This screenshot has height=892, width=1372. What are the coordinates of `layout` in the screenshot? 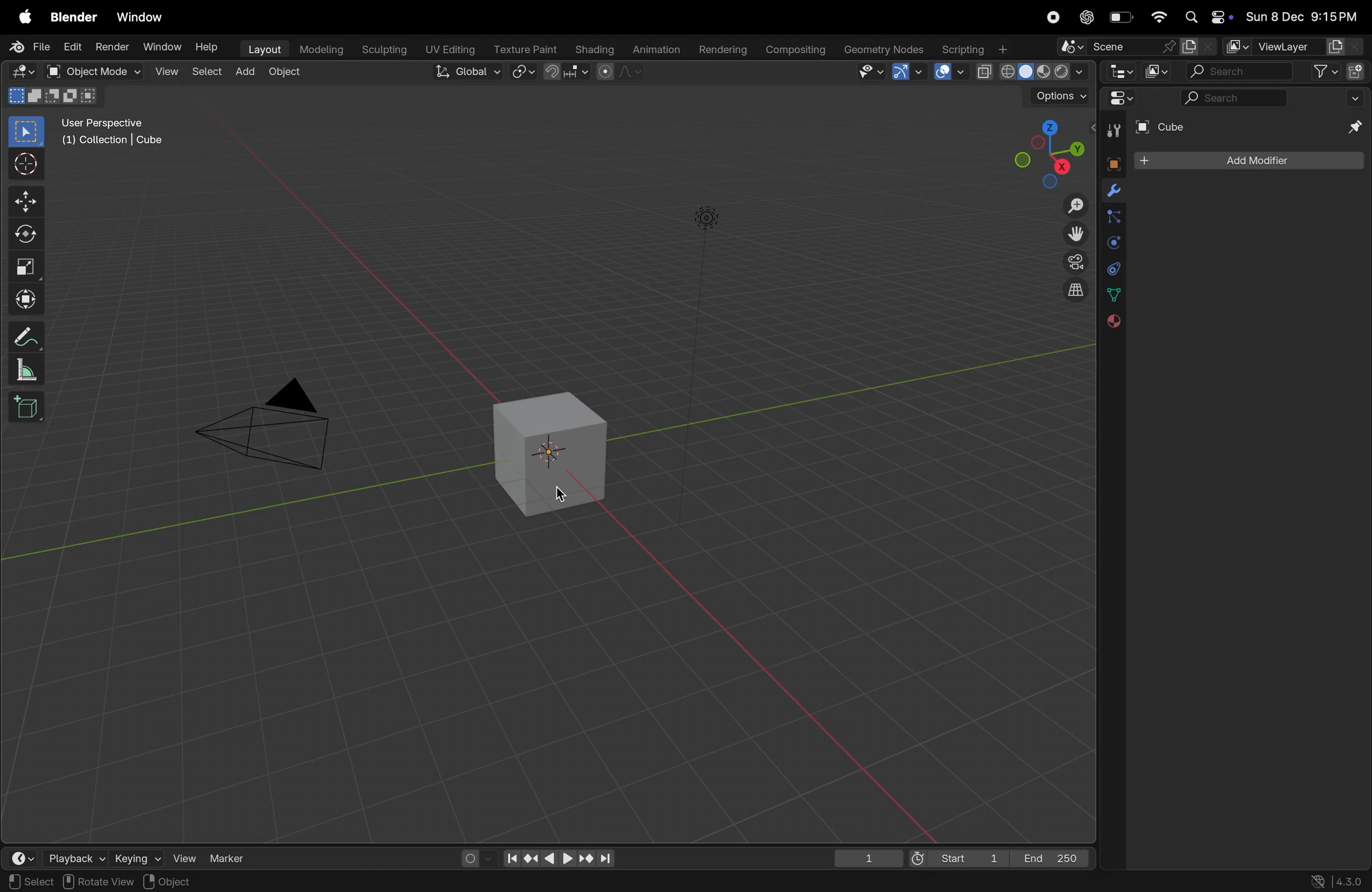 It's located at (263, 48).